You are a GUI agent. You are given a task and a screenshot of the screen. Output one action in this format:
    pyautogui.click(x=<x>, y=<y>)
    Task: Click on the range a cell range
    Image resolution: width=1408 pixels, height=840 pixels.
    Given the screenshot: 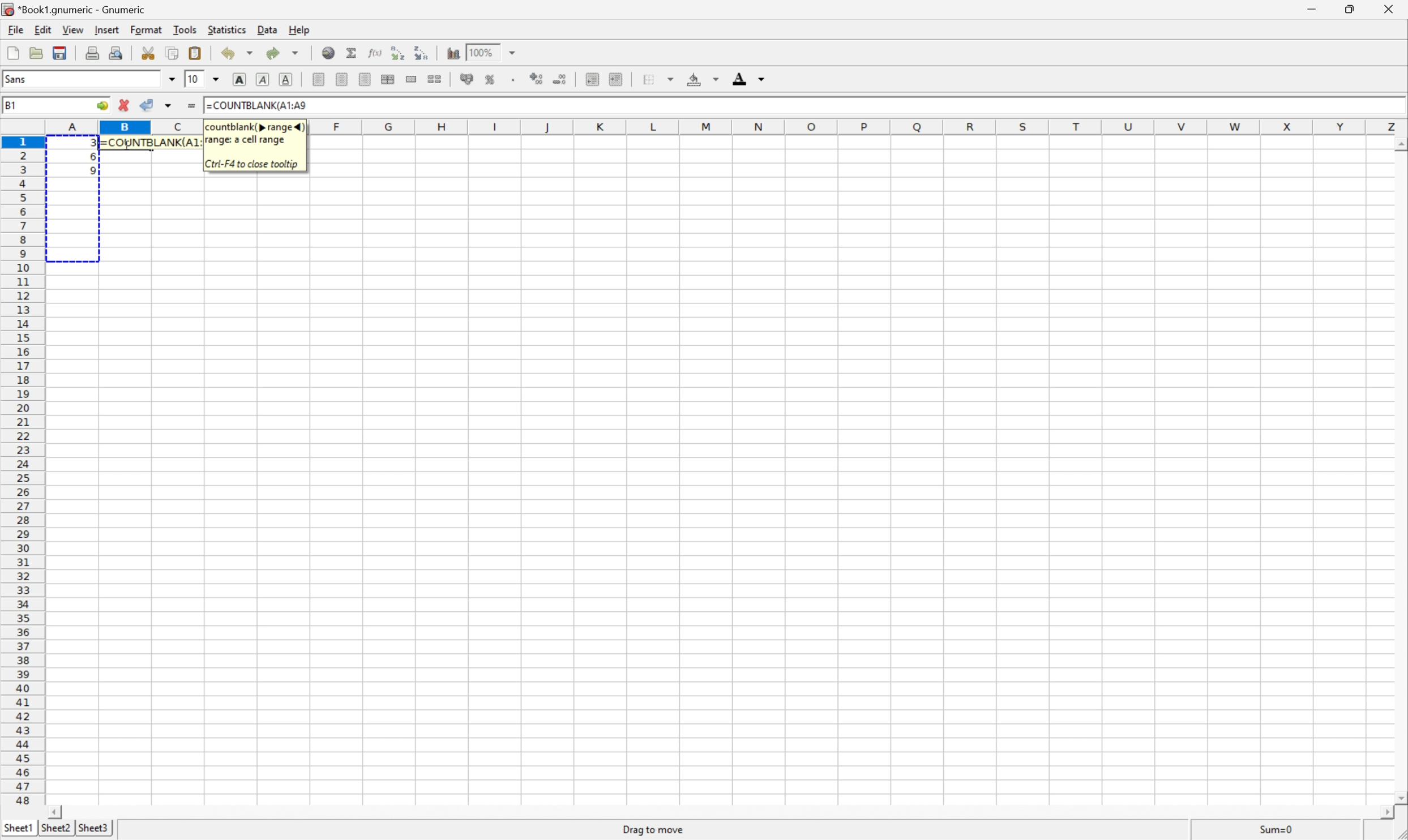 What is the action you would take?
    pyautogui.click(x=246, y=141)
    